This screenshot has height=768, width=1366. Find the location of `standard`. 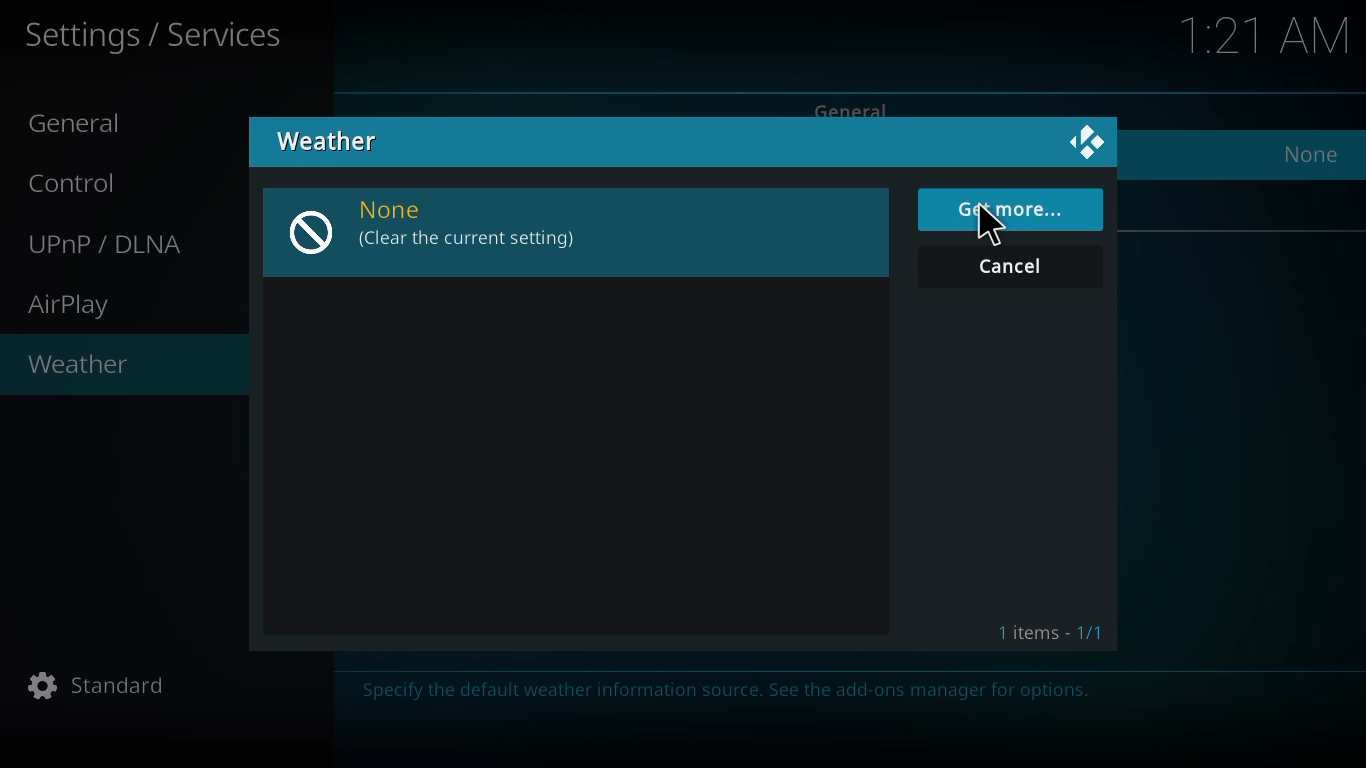

standard is located at coordinates (101, 687).